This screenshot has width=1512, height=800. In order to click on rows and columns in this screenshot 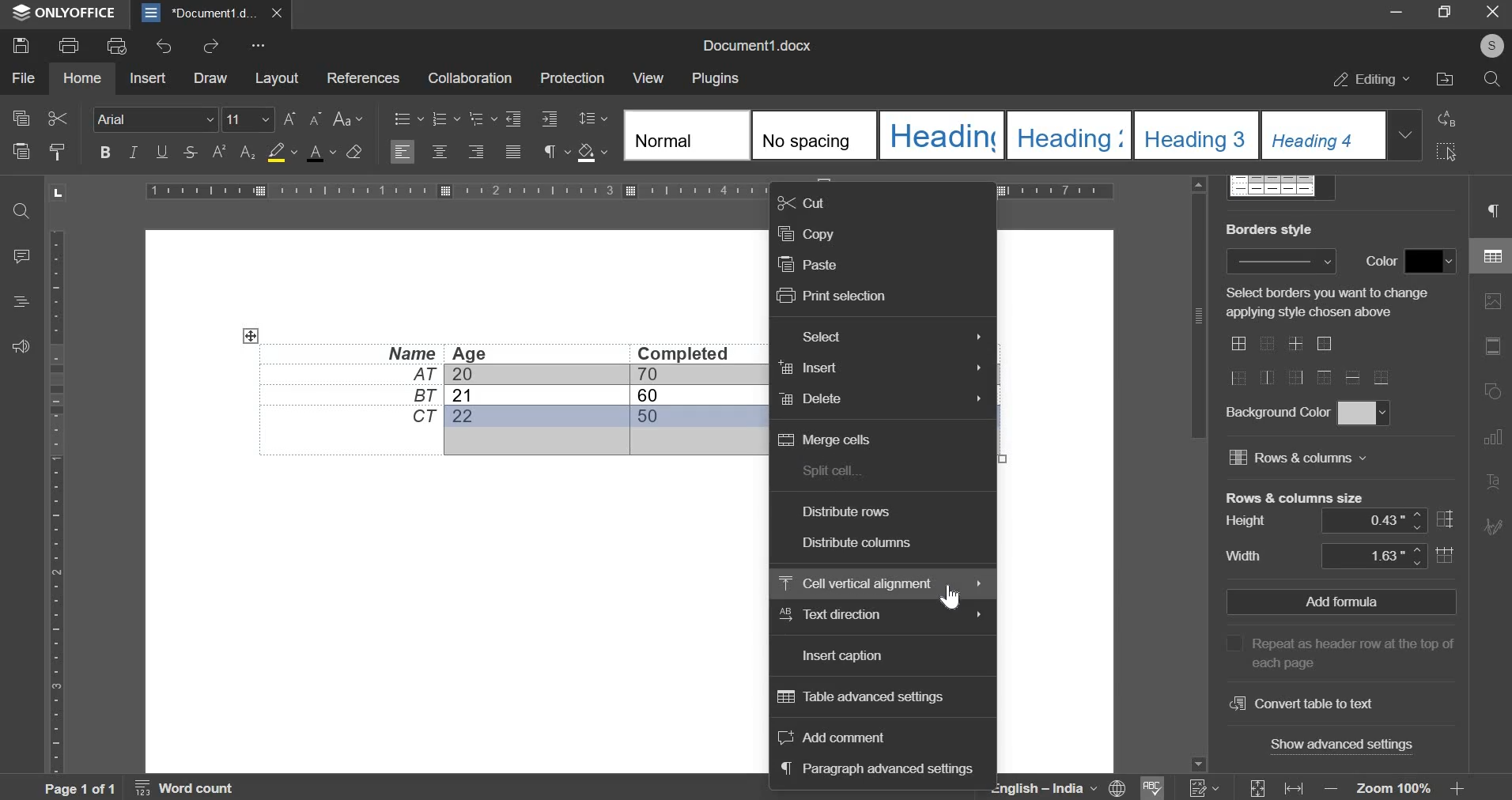, I will do `click(1313, 458)`.